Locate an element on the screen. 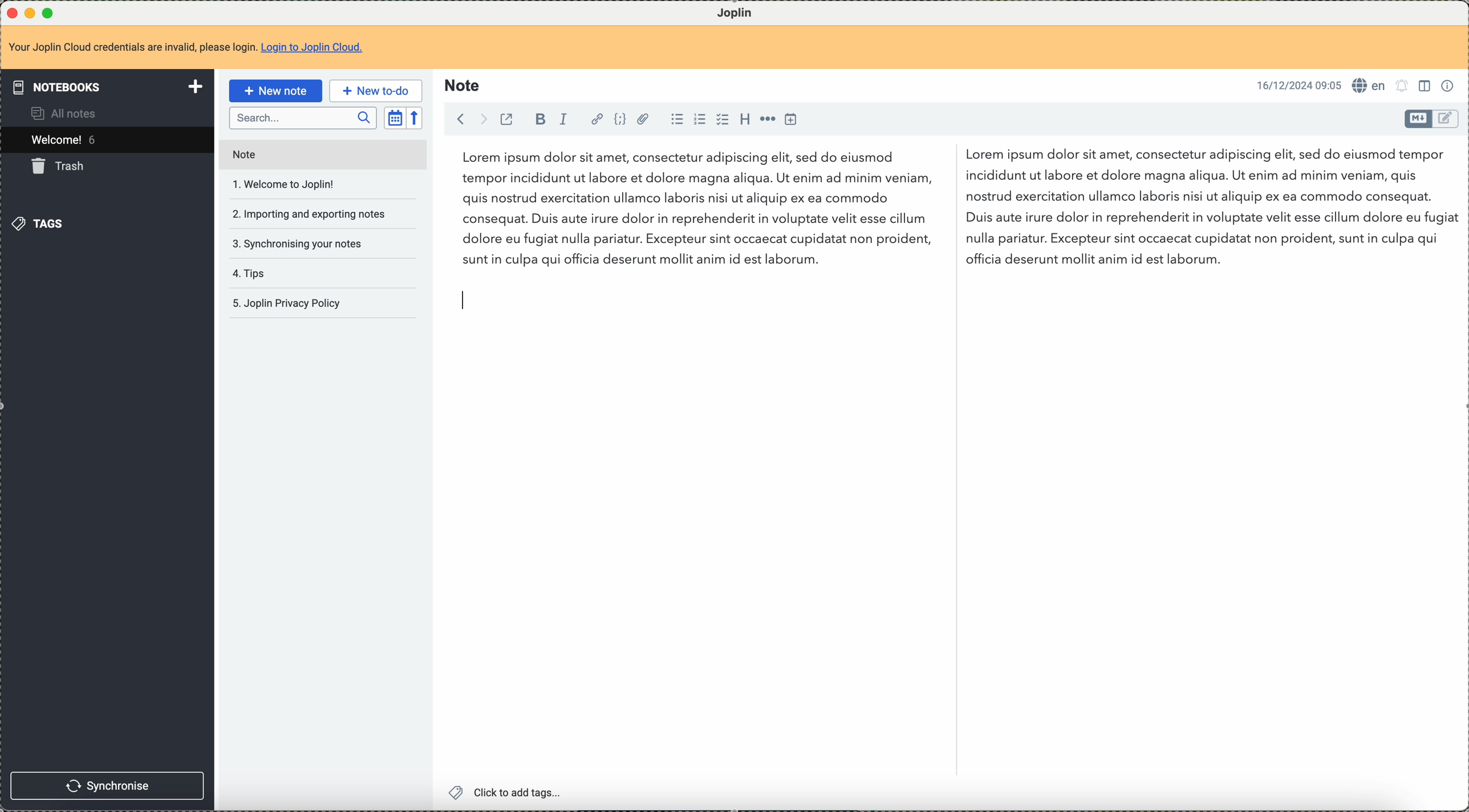 Image resolution: width=1469 pixels, height=812 pixels. toggle external editing is located at coordinates (506, 120).